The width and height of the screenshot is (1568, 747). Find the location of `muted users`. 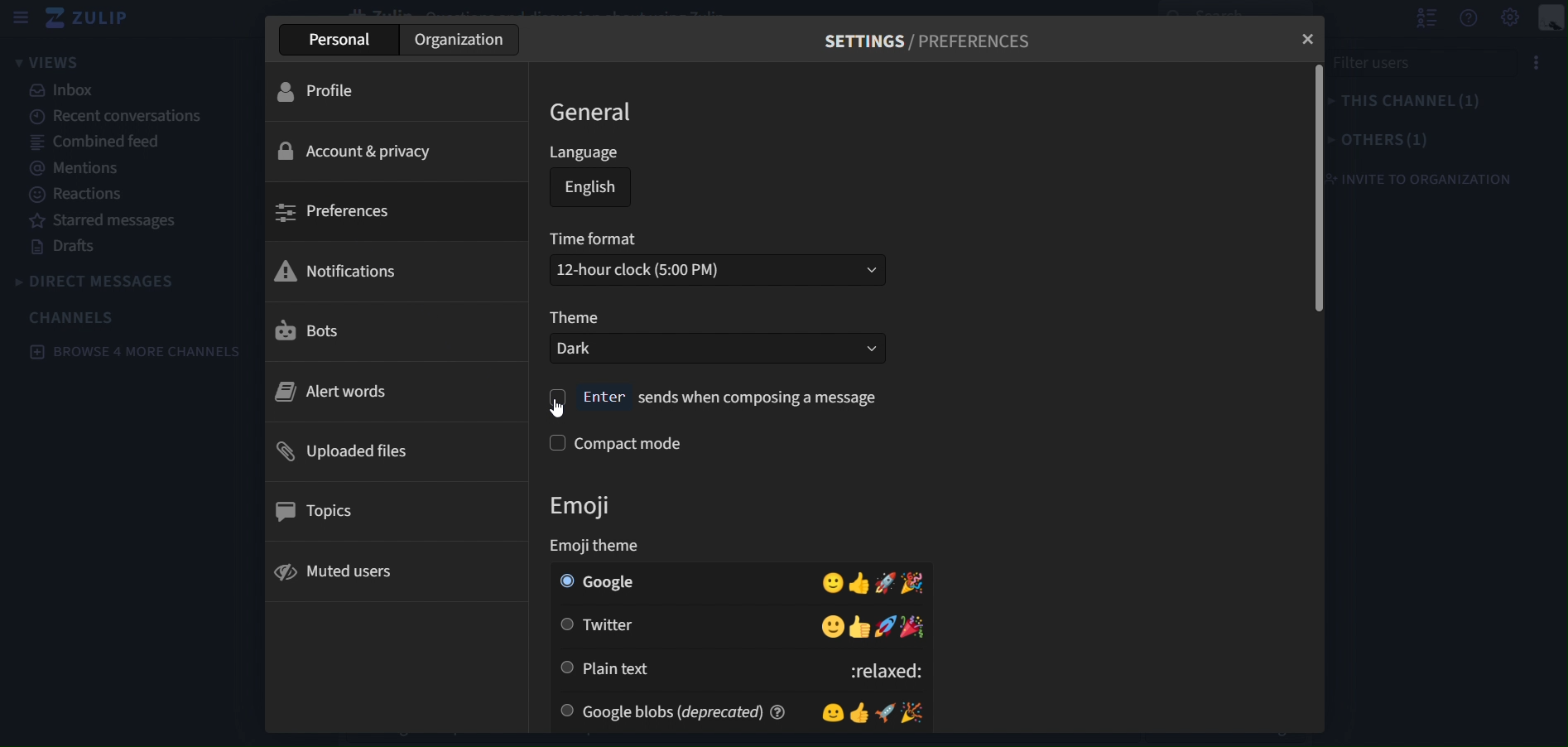

muted users is located at coordinates (386, 572).